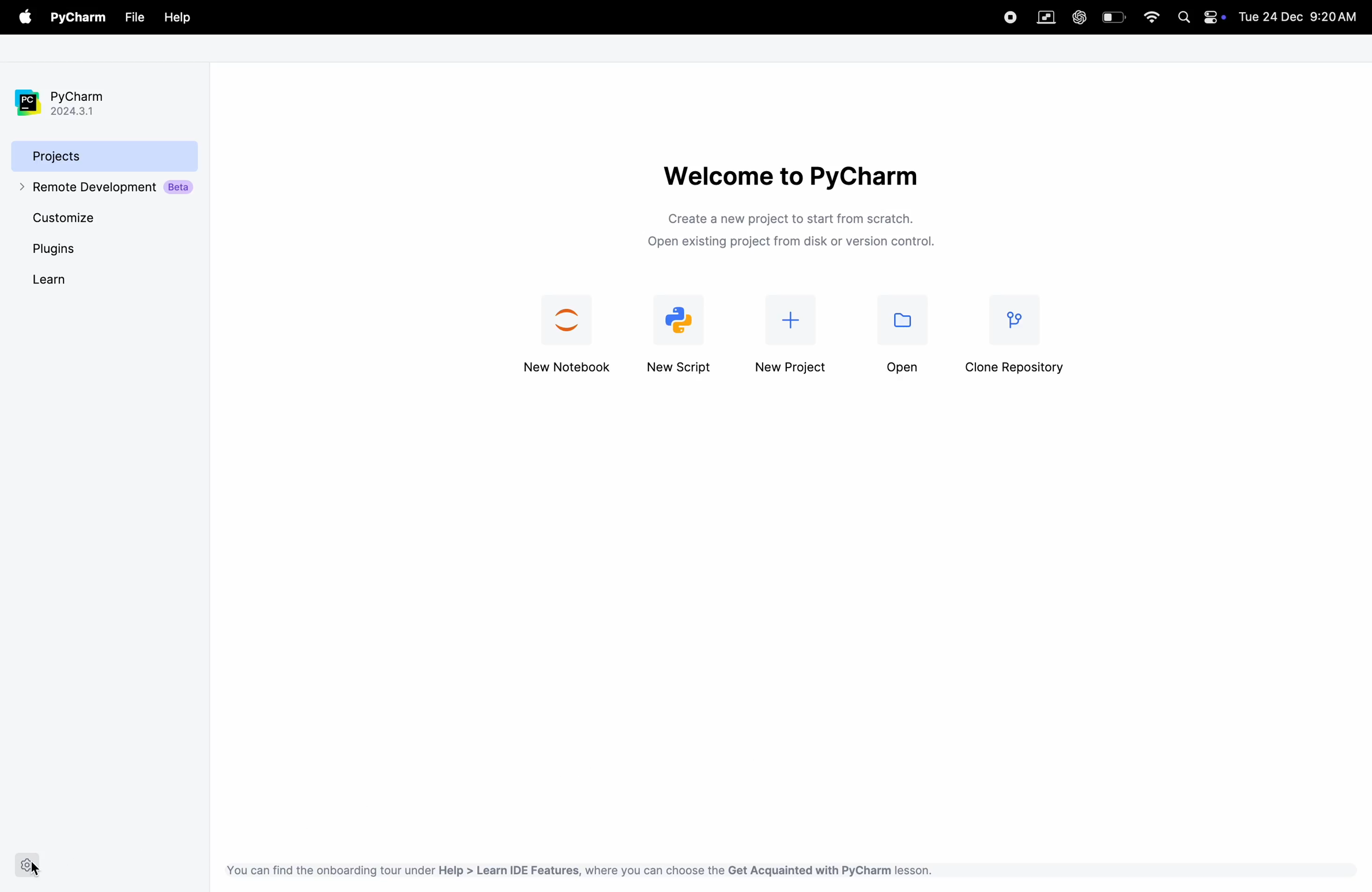 The image size is (1372, 892). I want to click on spotlight search, so click(1183, 18).